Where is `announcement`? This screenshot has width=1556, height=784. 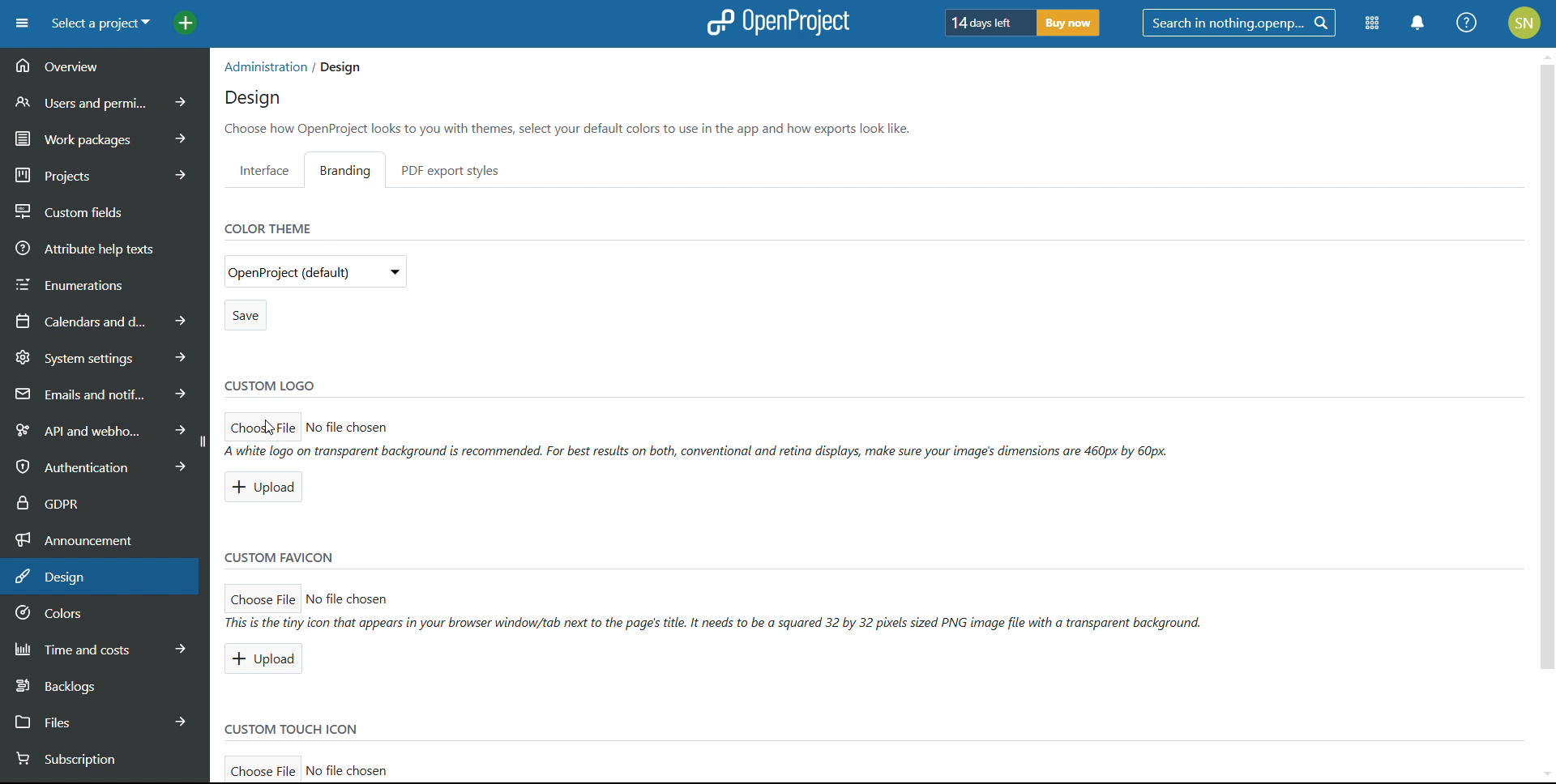
announcement is located at coordinates (104, 538).